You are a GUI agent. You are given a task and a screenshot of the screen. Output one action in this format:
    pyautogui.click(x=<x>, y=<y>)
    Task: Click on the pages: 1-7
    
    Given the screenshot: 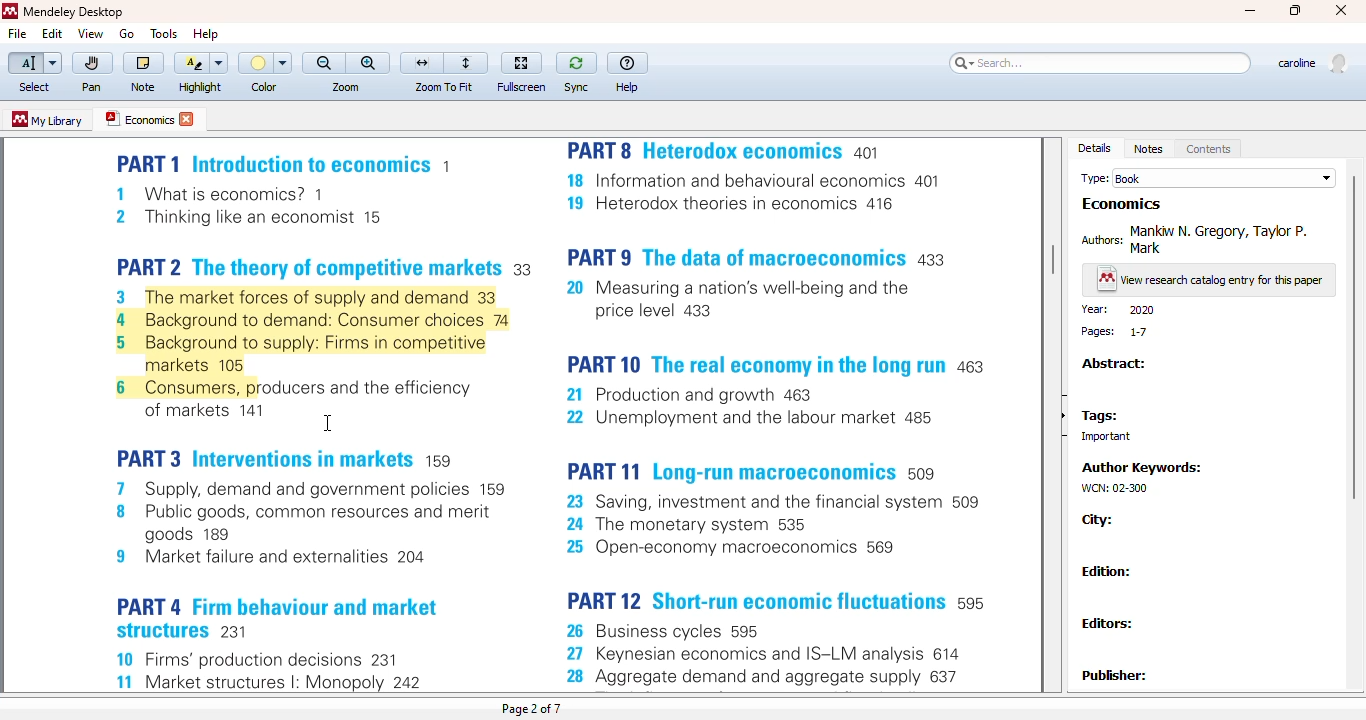 What is the action you would take?
    pyautogui.click(x=1116, y=332)
    